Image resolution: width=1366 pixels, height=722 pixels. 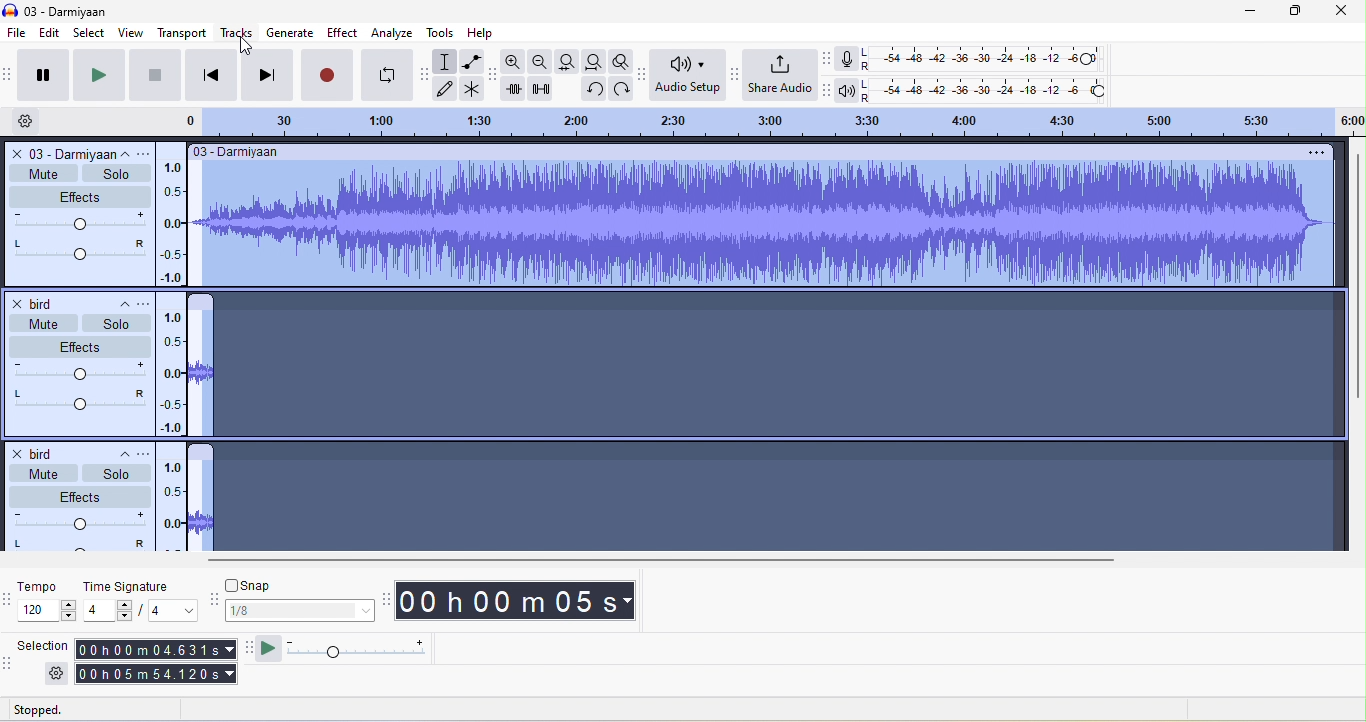 What do you see at coordinates (18, 33) in the screenshot?
I see `file` at bounding box center [18, 33].